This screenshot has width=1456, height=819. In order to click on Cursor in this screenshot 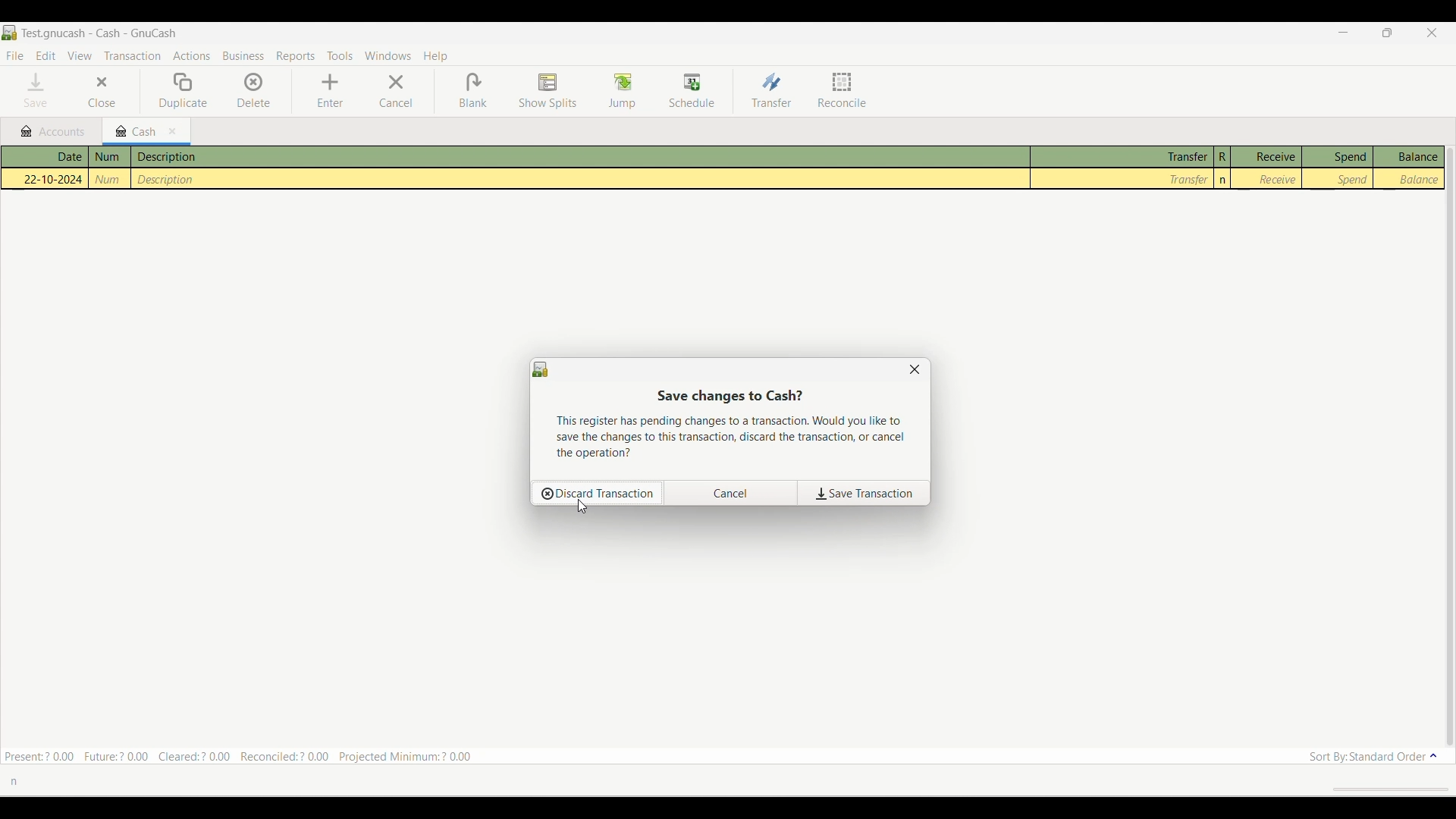, I will do `click(582, 507)`.